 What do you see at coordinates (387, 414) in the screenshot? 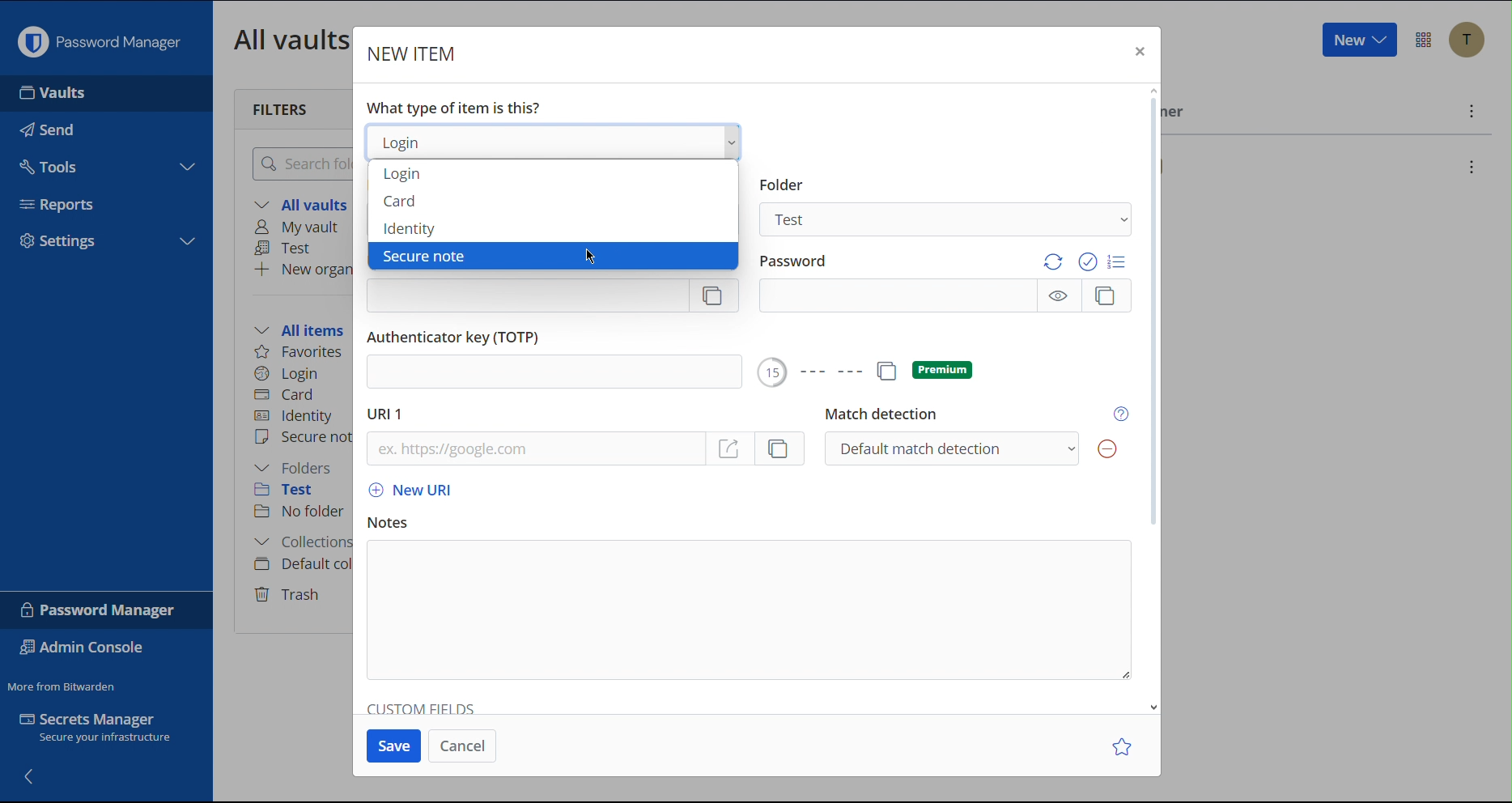
I see `URL 1` at bounding box center [387, 414].